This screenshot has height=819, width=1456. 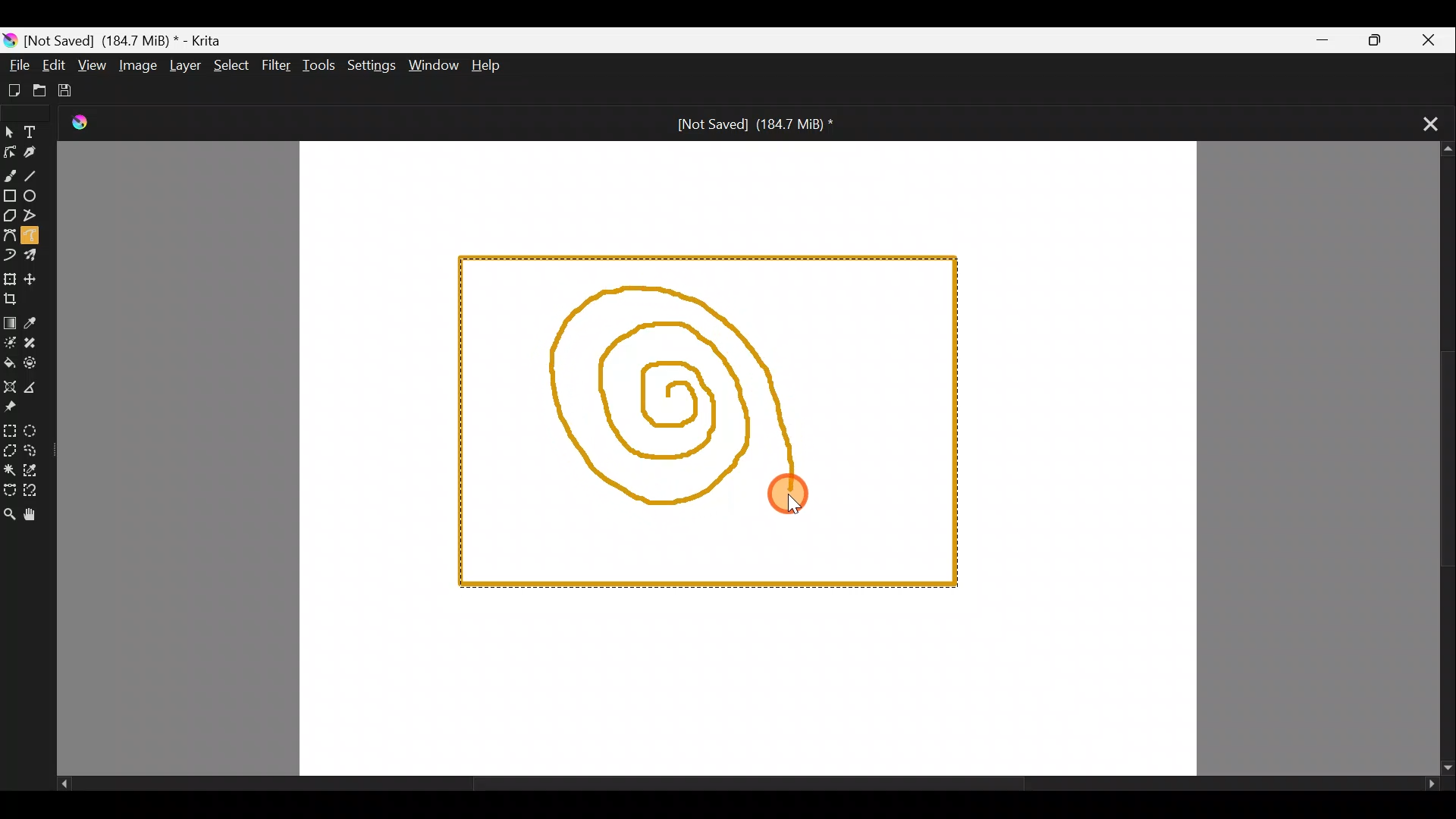 I want to click on Close tab, so click(x=1420, y=127).